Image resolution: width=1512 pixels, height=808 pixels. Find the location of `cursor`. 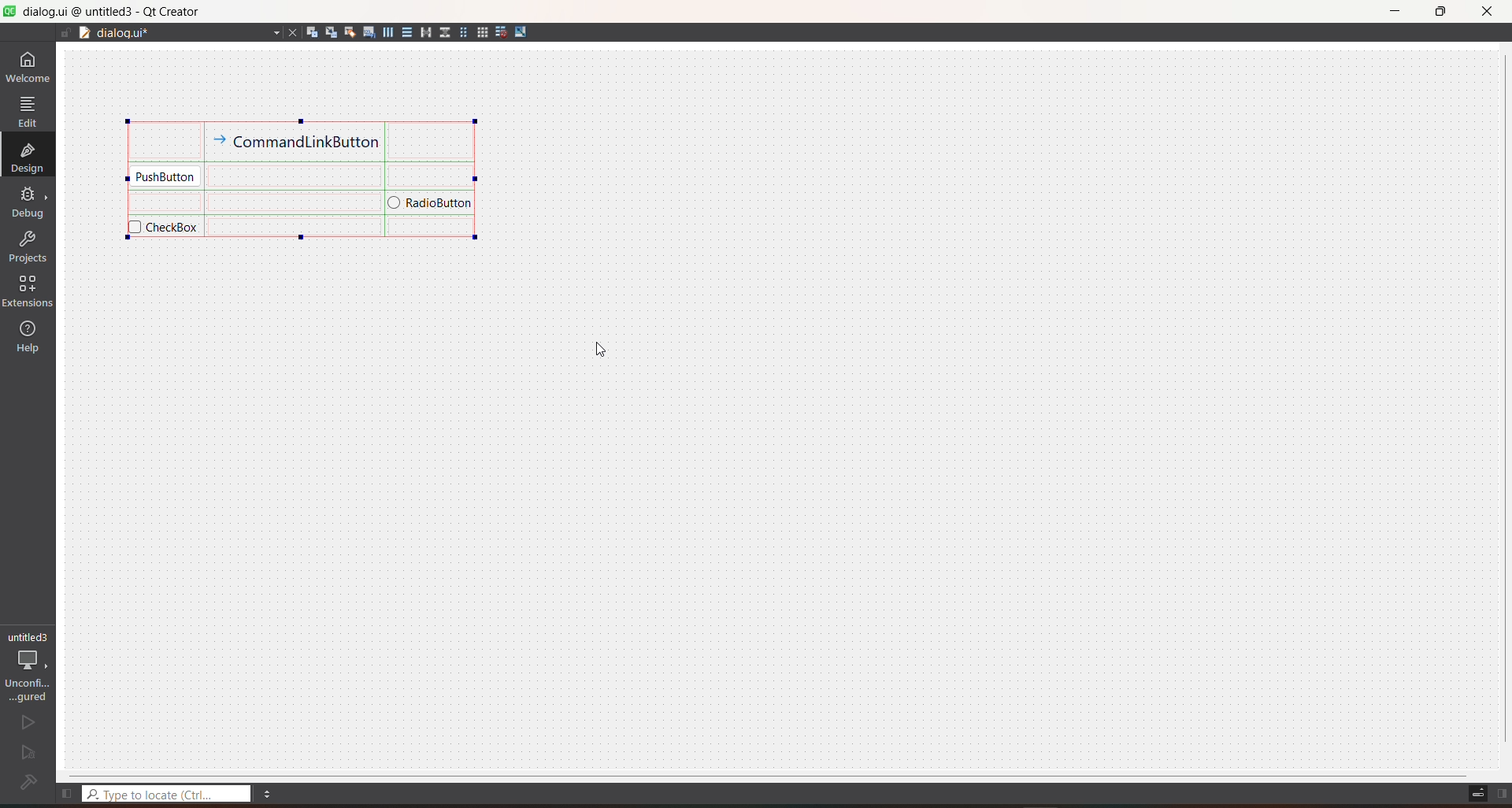

cursor is located at coordinates (597, 354).